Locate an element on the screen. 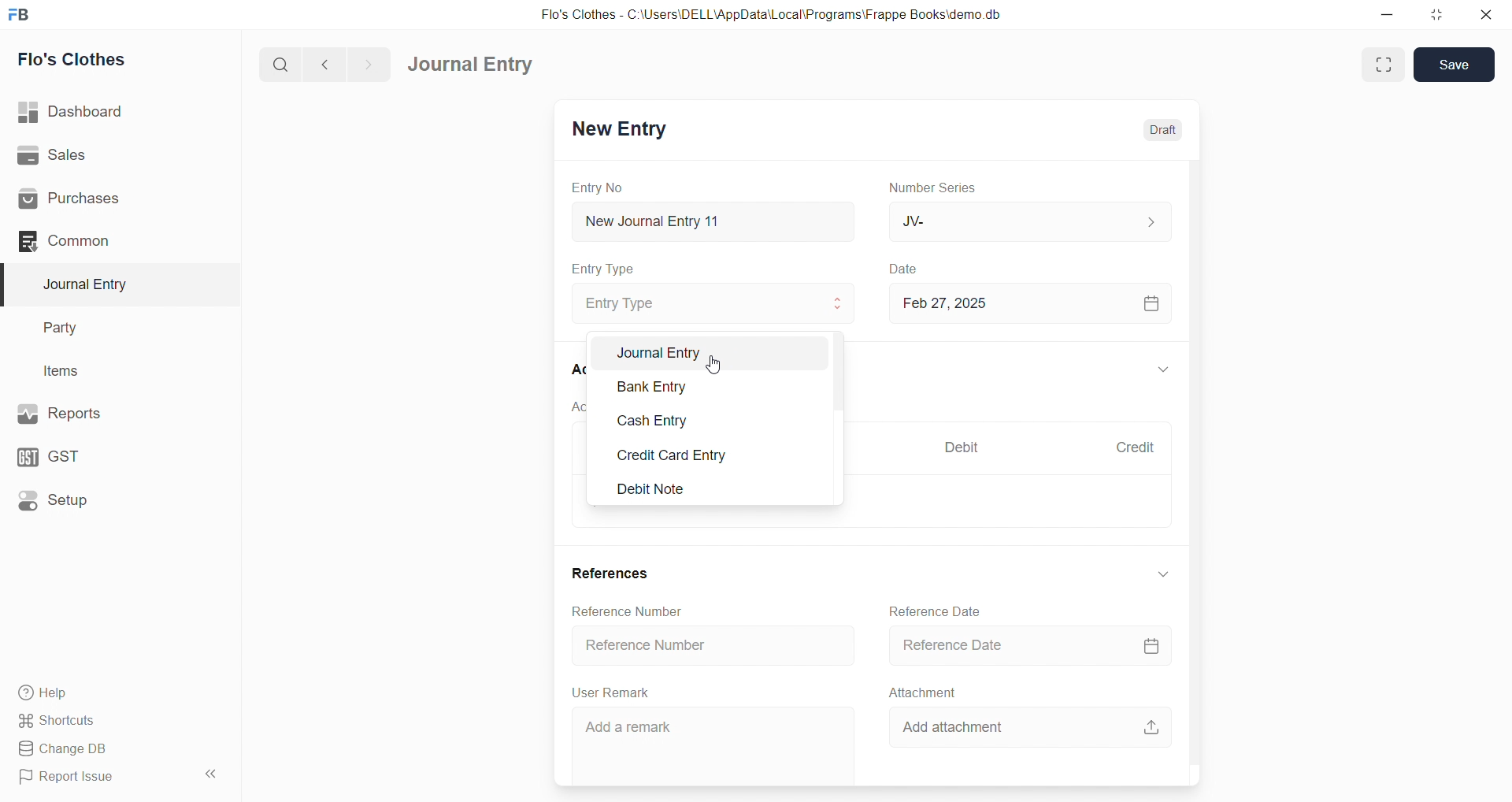  | Dashboard is located at coordinates (86, 113).